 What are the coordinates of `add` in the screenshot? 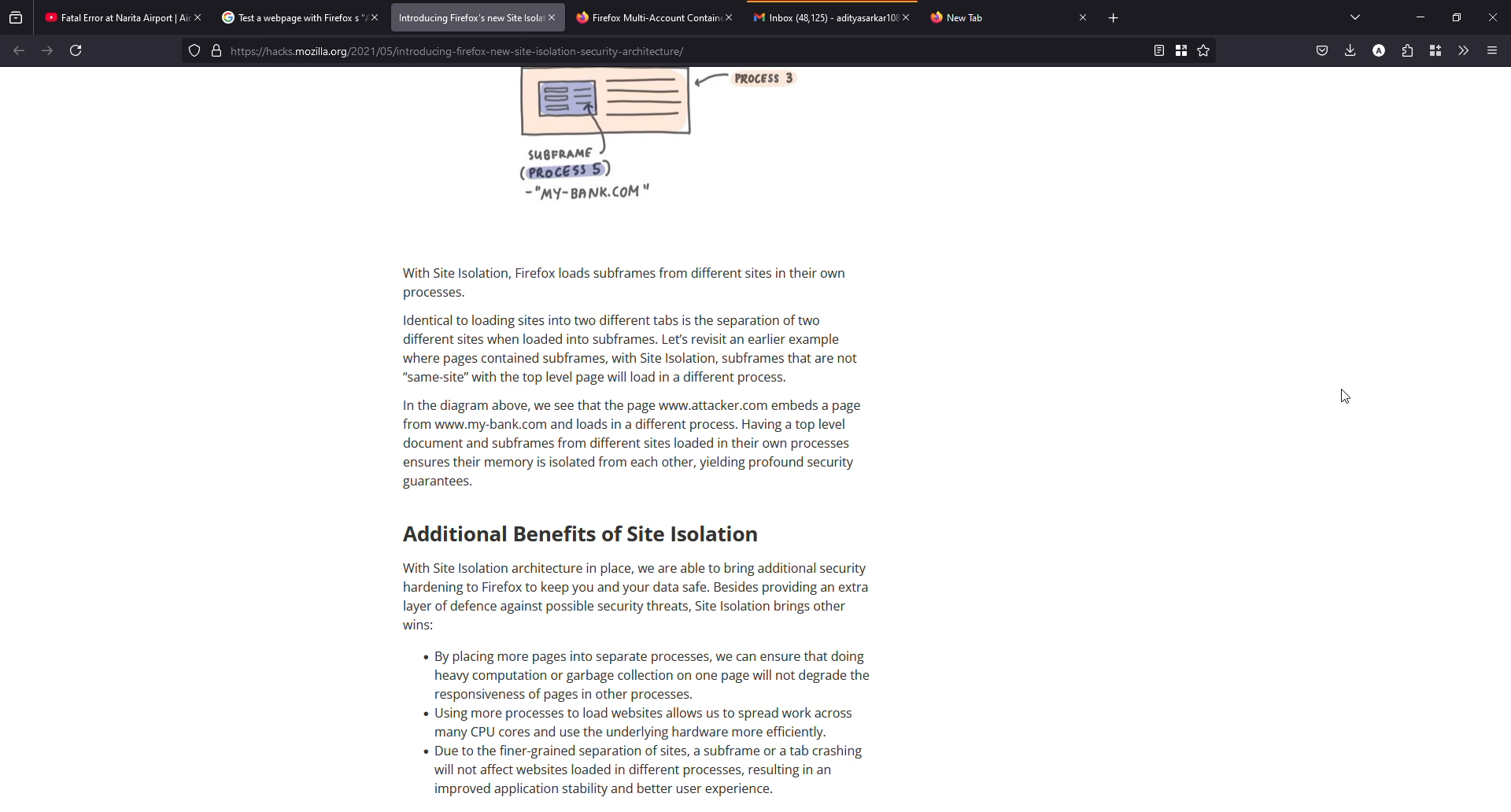 It's located at (1115, 19).